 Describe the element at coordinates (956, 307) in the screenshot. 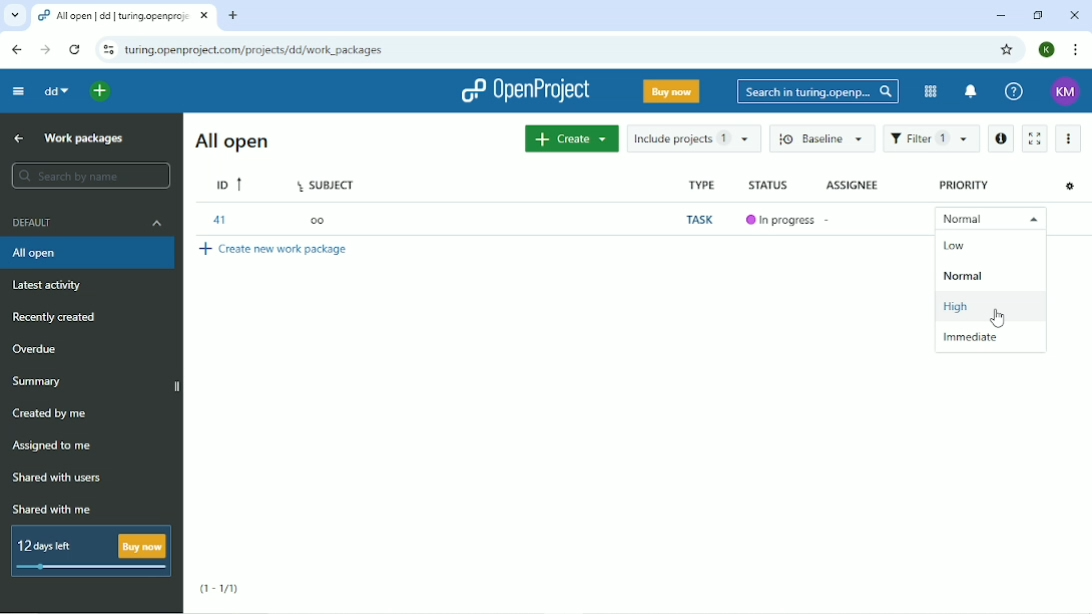

I see `High` at that location.